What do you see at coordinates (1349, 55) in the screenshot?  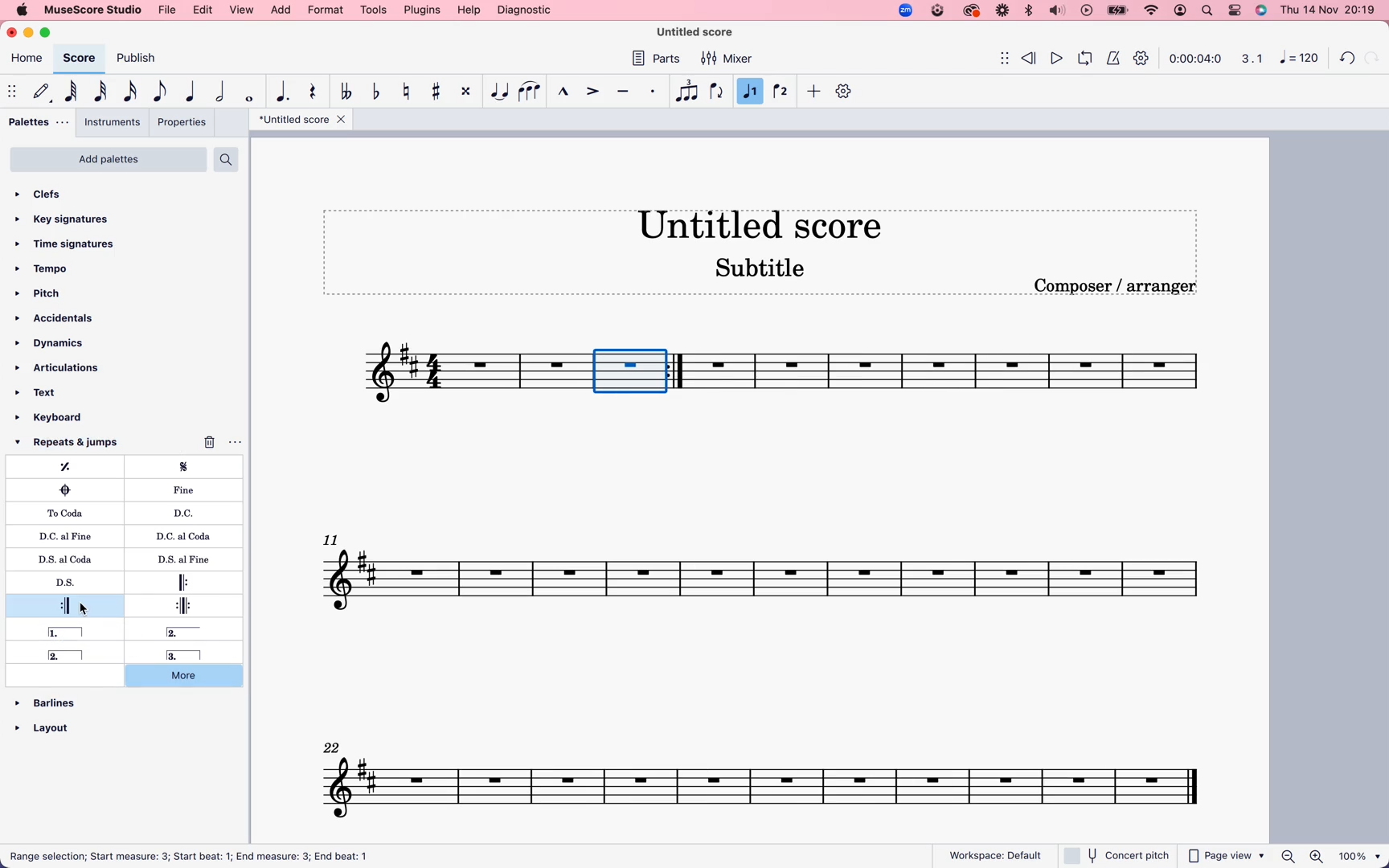 I see `back` at bounding box center [1349, 55].